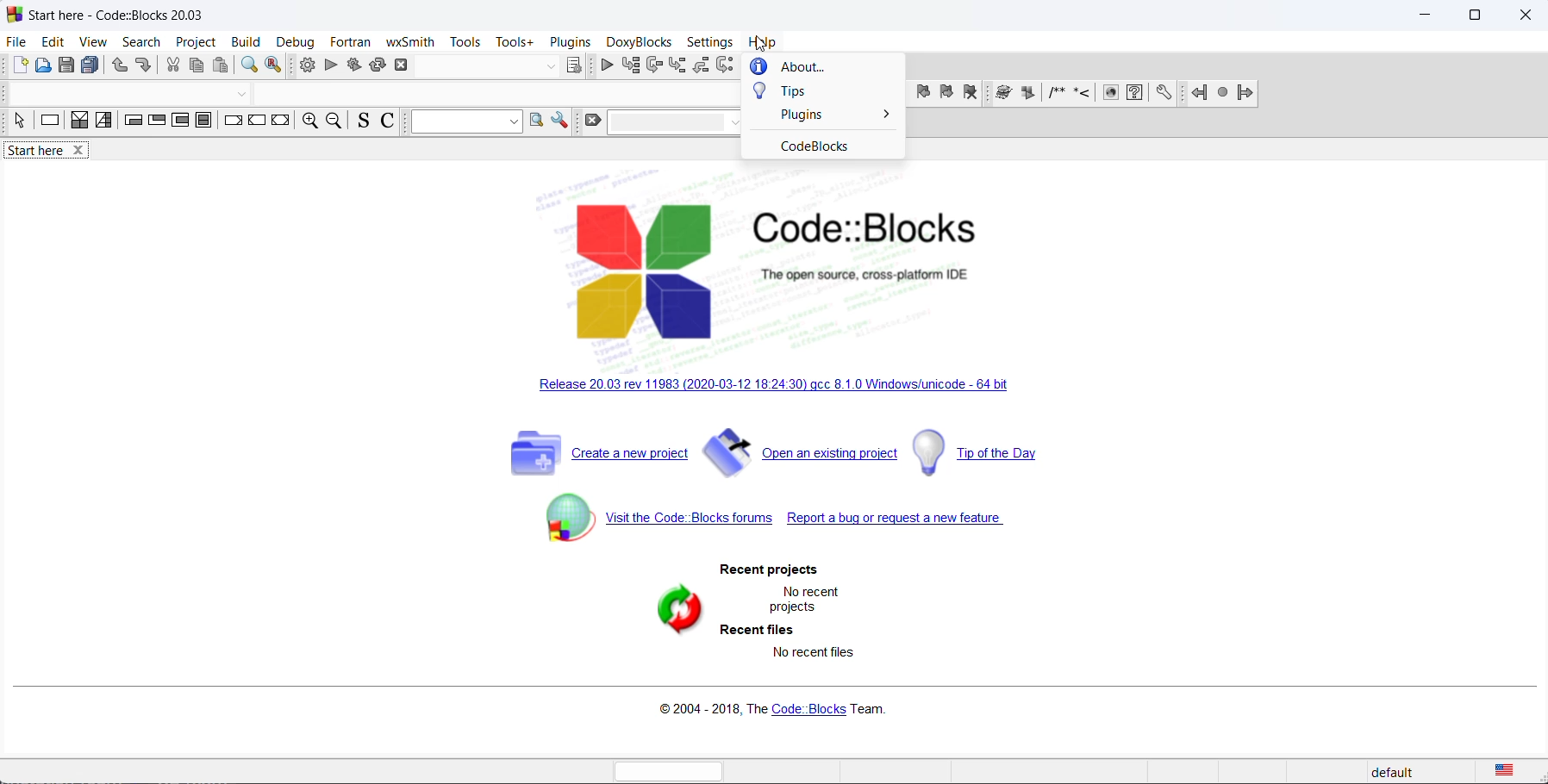 The height and width of the screenshot is (784, 1548). What do you see at coordinates (636, 42) in the screenshot?
I see `DoxyBlocks` at bounding box center [636, 42].